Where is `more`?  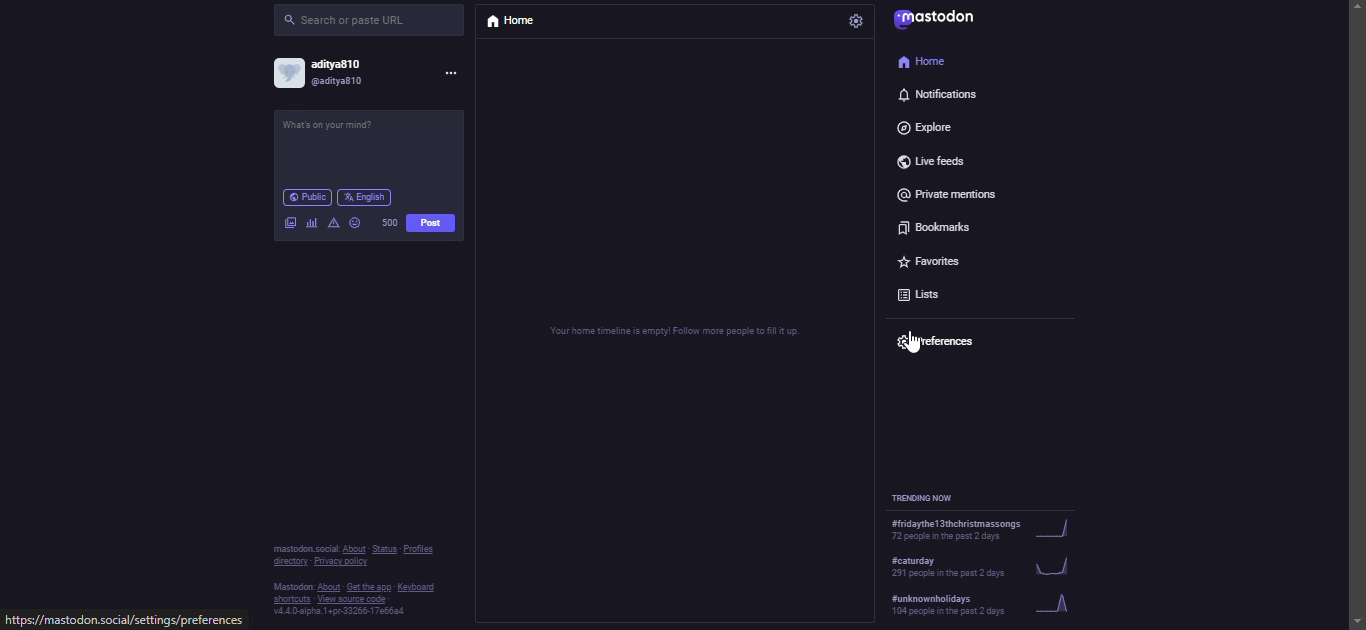
more is located at coordinates (459, 74).